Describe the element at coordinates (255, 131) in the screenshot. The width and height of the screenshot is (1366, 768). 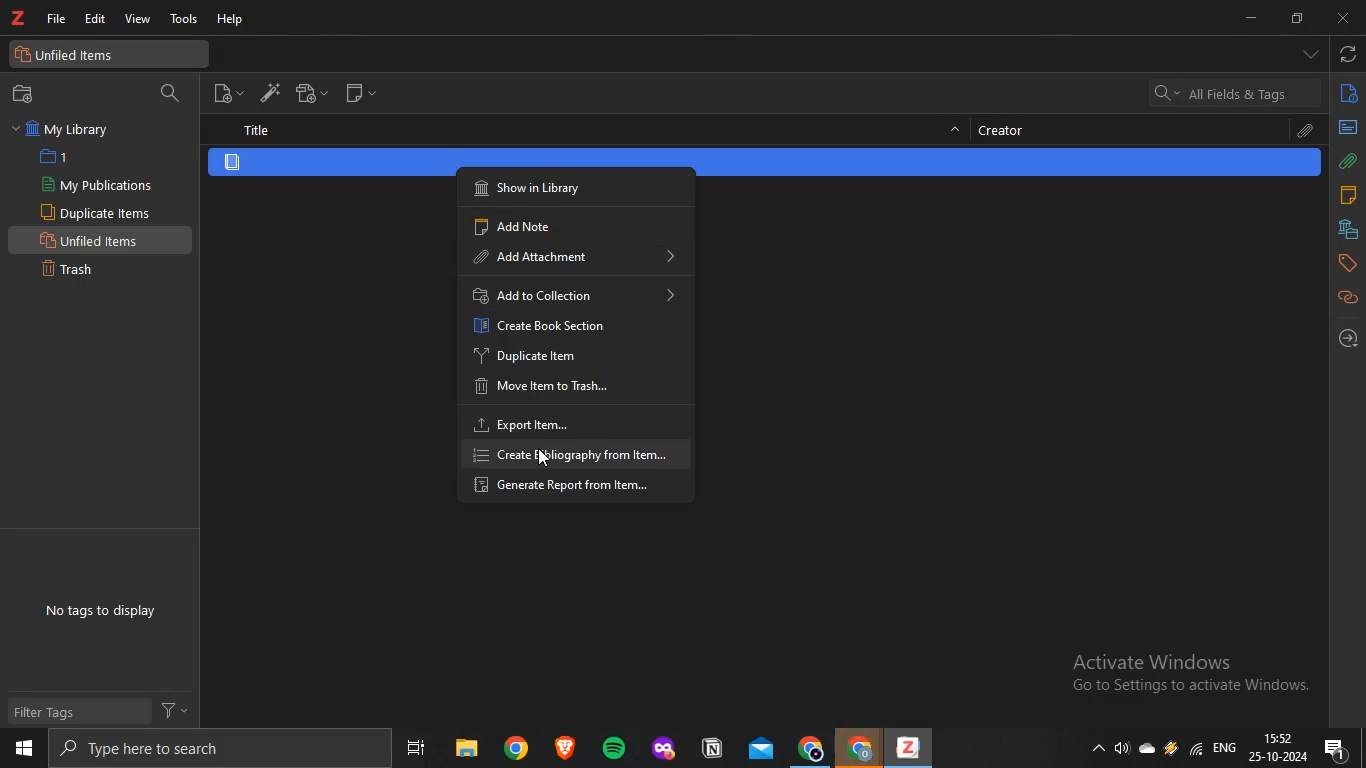
I see `title` at that location.